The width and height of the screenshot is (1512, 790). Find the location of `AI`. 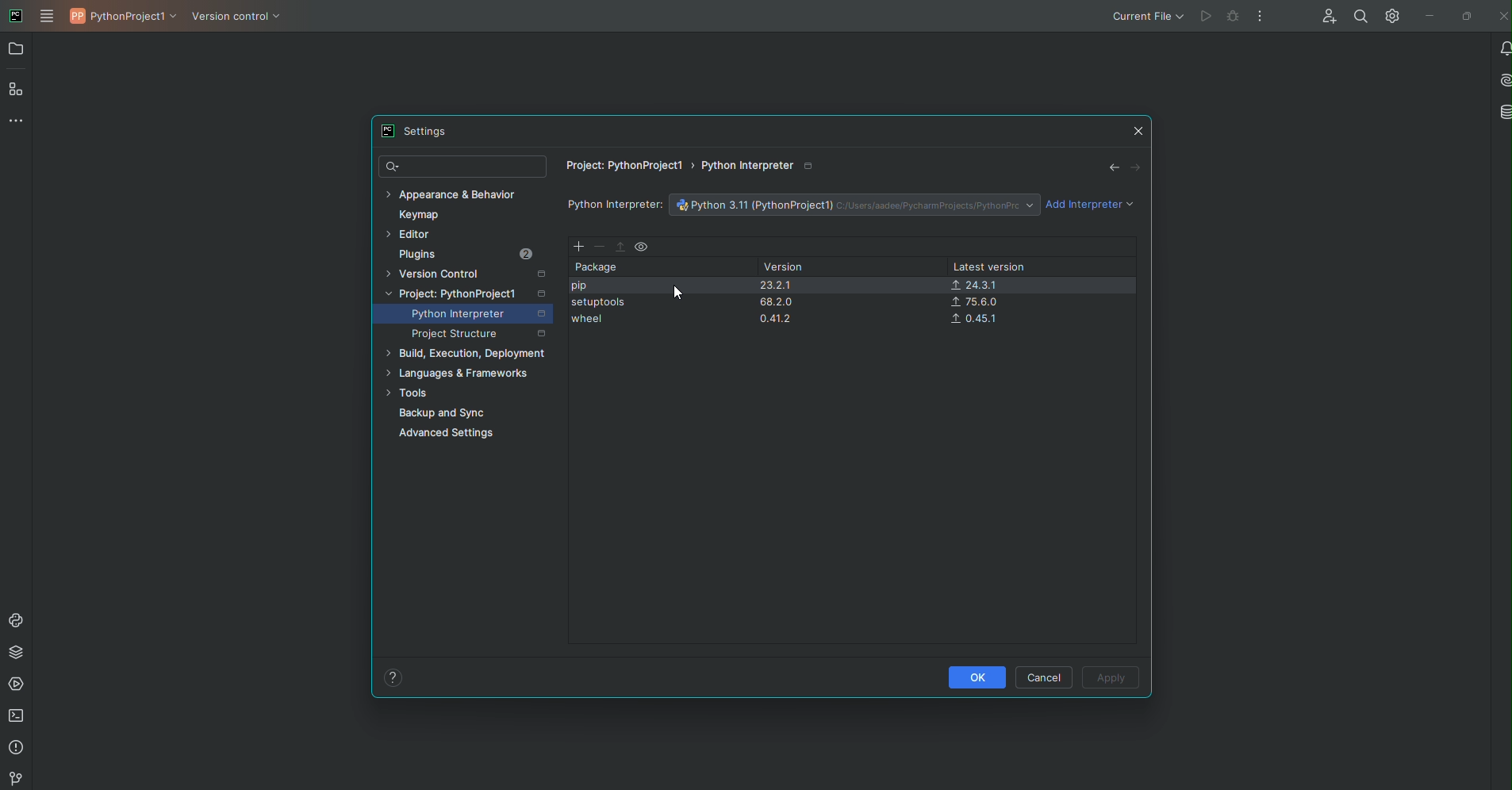

AI is located at coordinates (1502, 80).